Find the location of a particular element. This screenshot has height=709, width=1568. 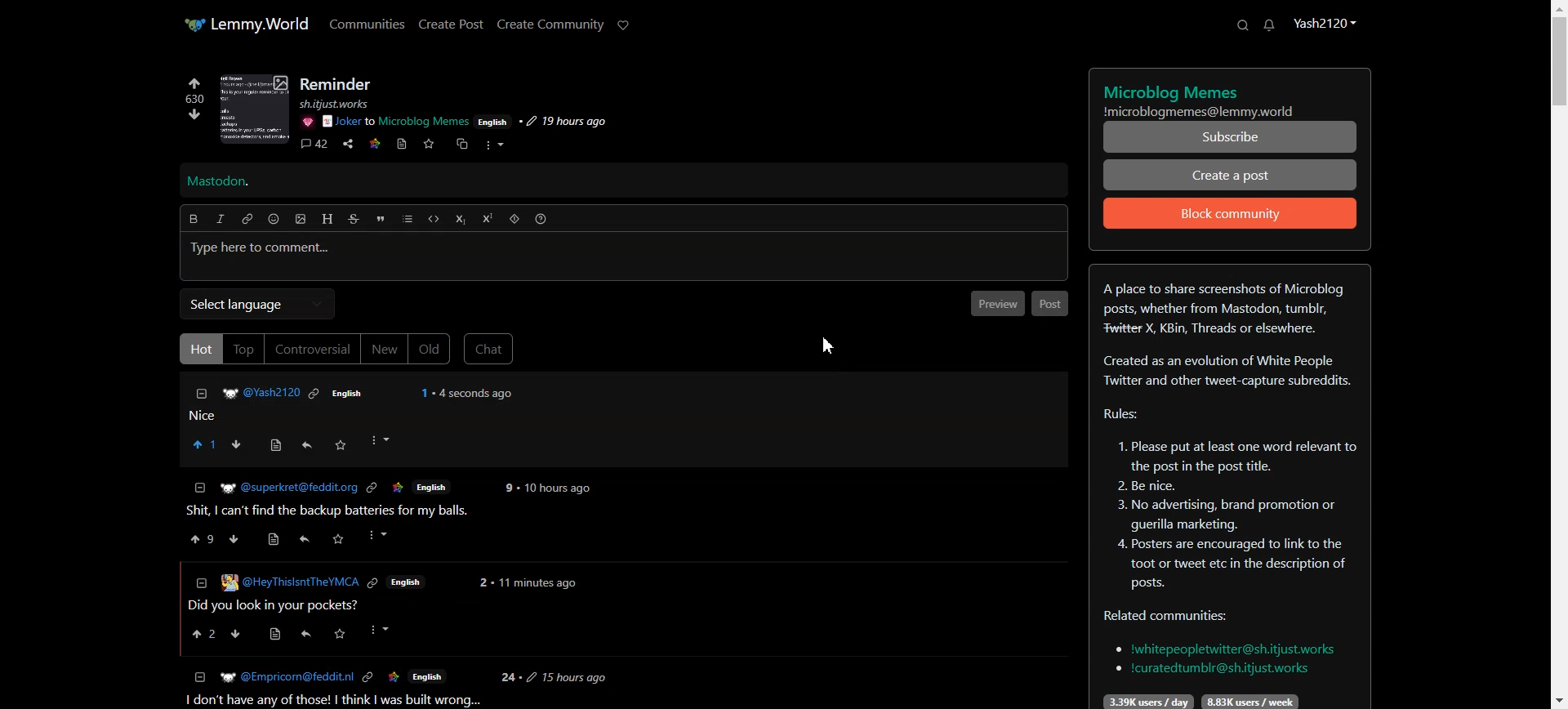

Select language is located at coordinates (256, 304).